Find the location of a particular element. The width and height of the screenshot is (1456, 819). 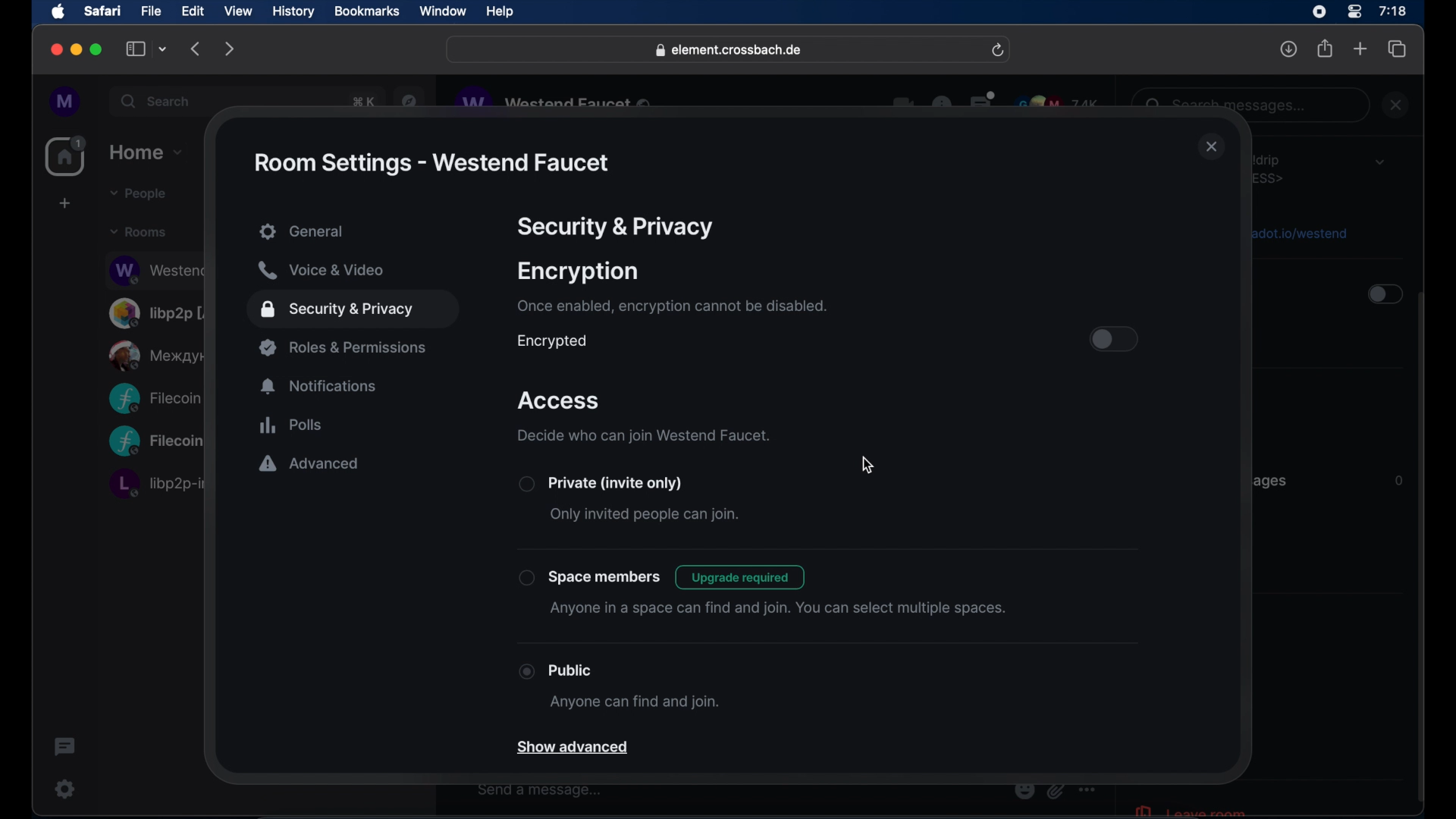

home is located at coordinates (67, 156).